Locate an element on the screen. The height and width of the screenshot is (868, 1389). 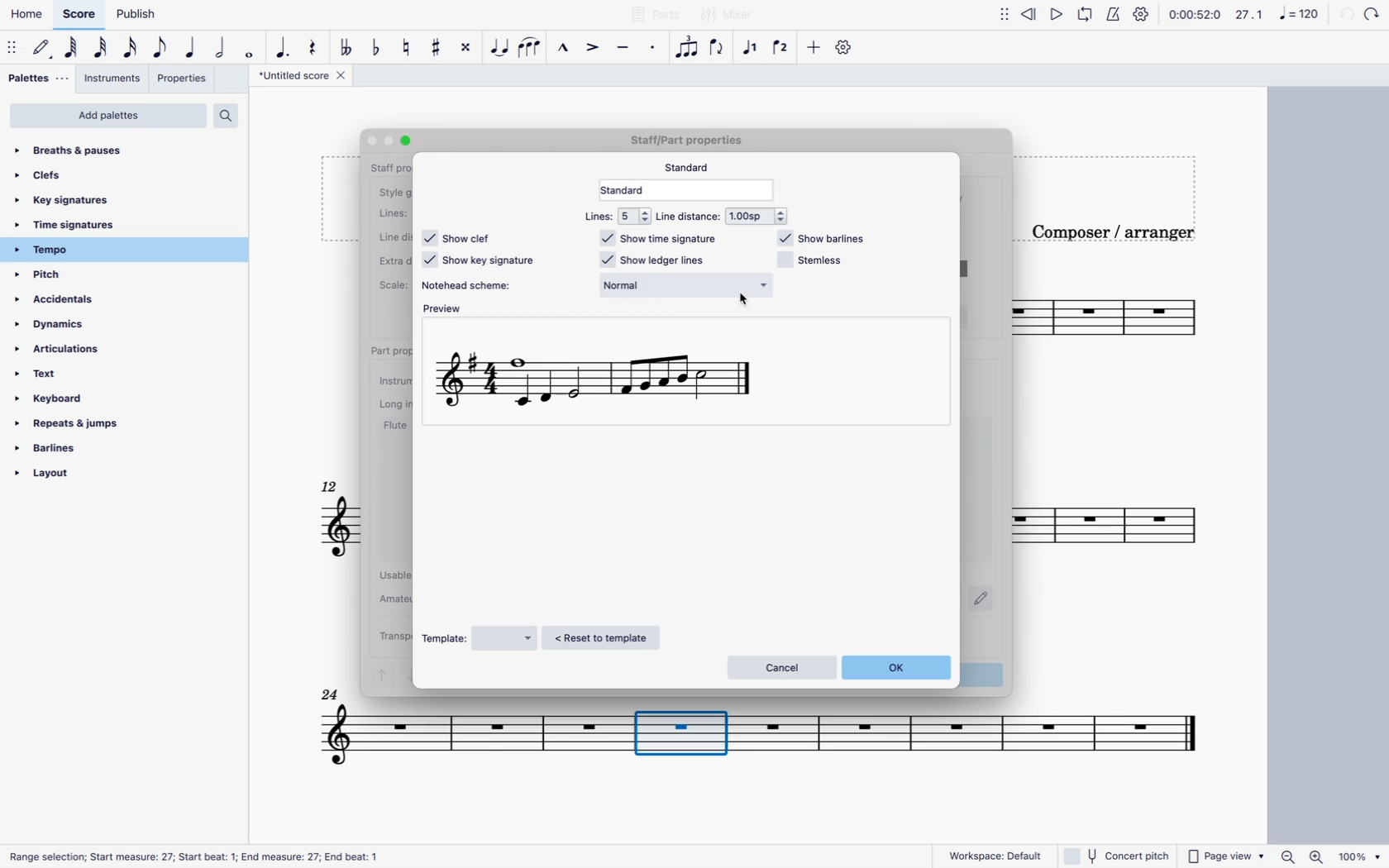
more is located at coordinates (814, 46).